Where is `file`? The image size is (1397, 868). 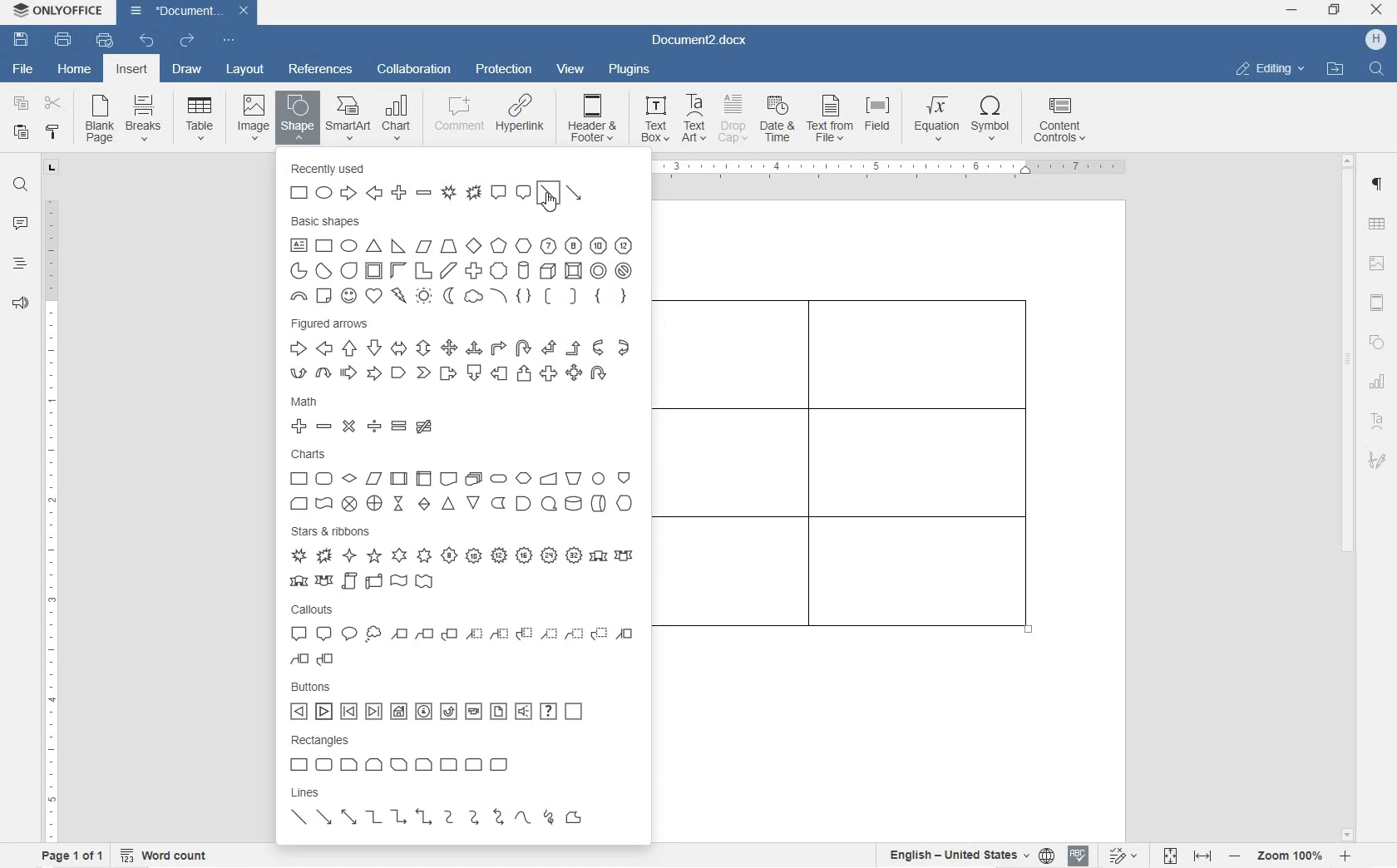
file is located at coordinates (26, 71).